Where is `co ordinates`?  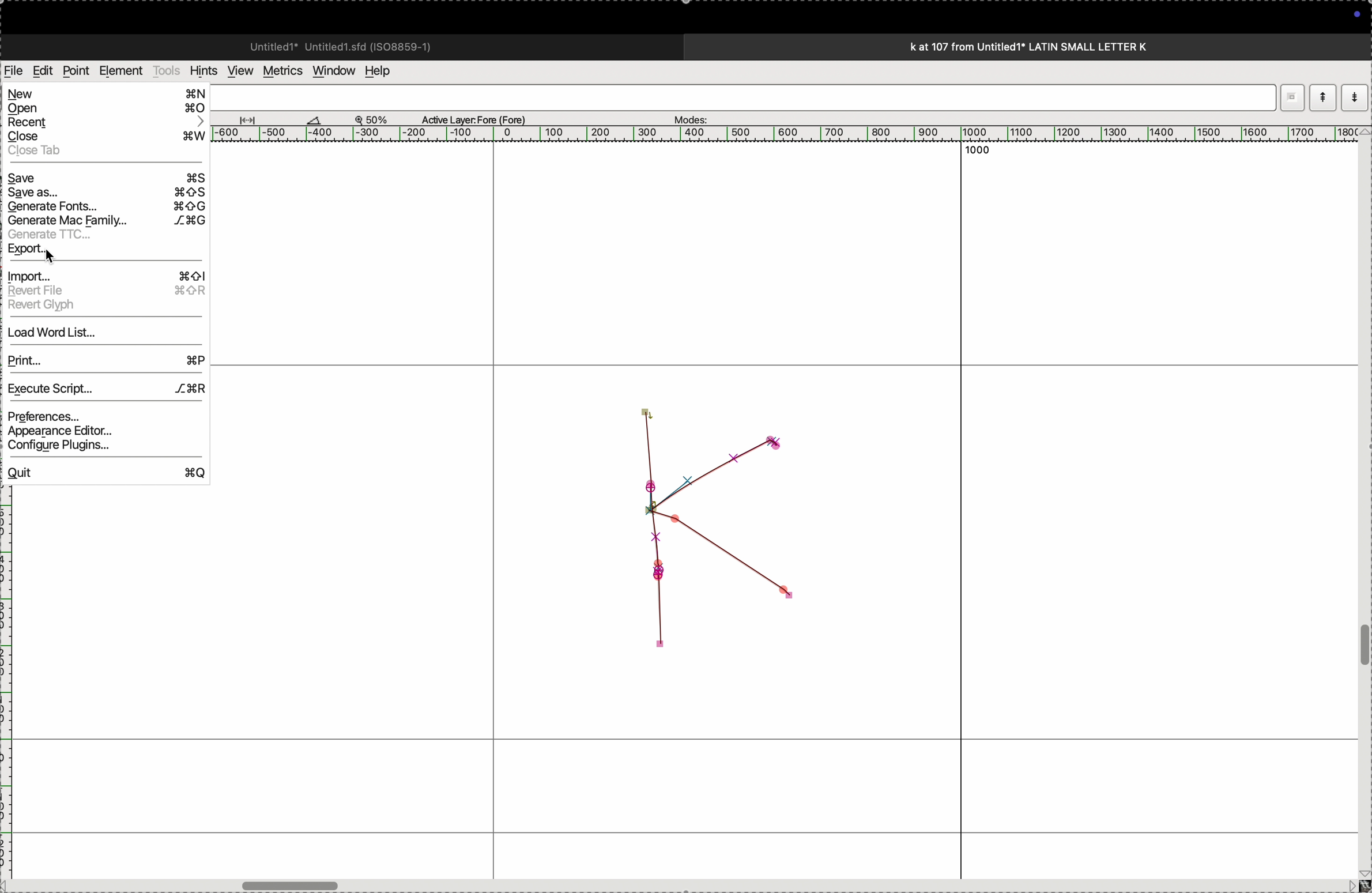 co ordinates is located at coordinates (40, 116).